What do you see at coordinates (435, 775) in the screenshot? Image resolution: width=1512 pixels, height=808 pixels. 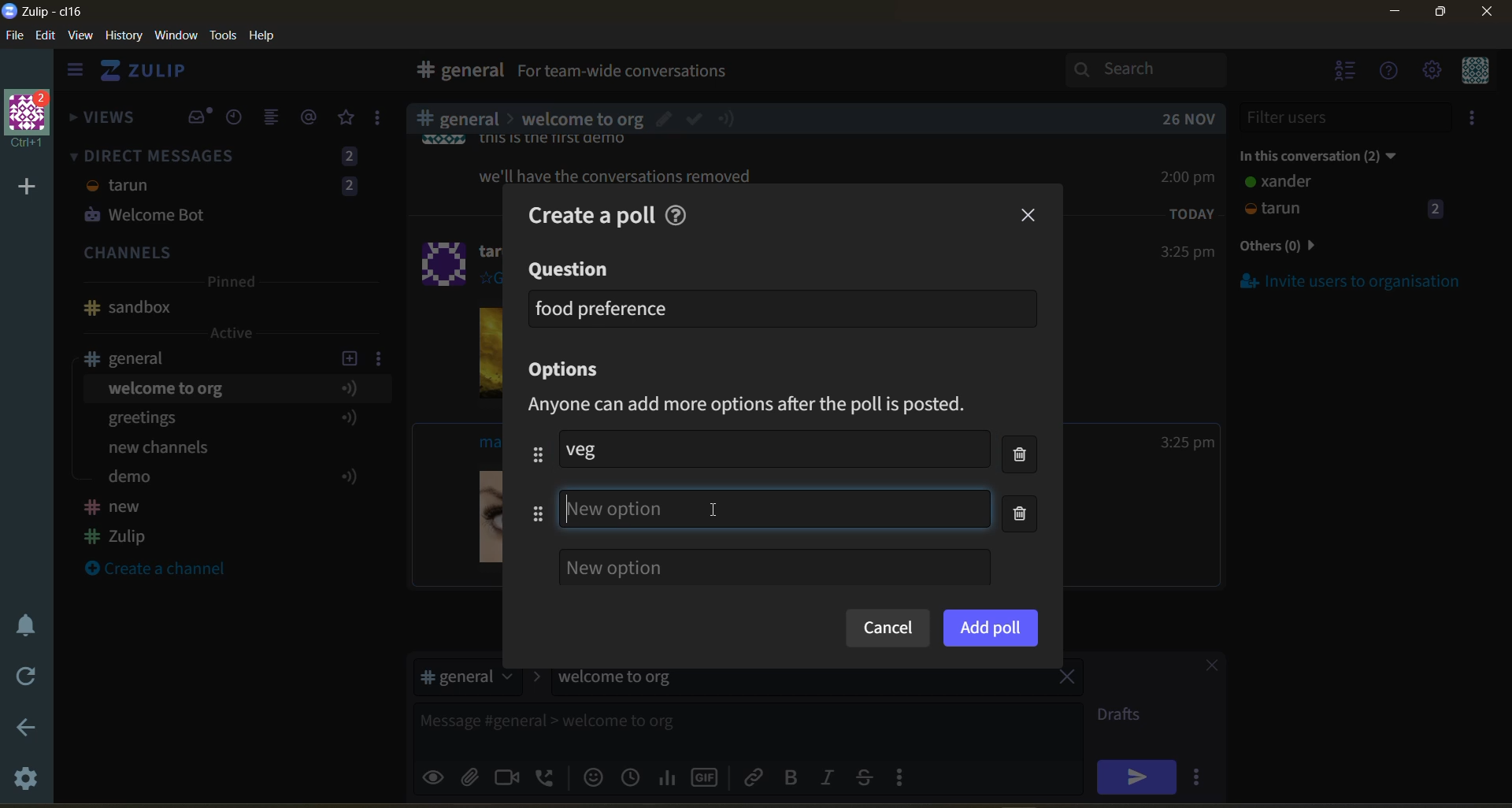 I see `preview` at bounding box center [435, 775].